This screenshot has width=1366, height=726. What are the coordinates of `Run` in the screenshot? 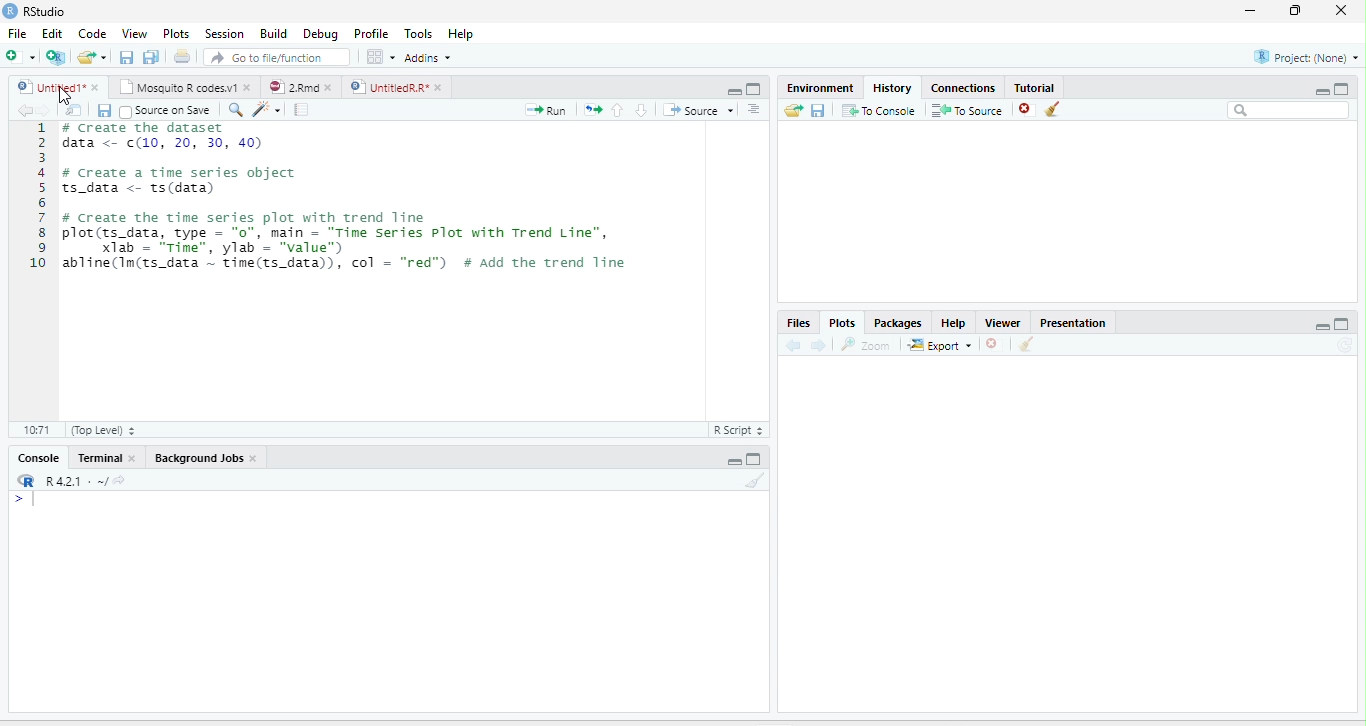 It's located at (546, 110).